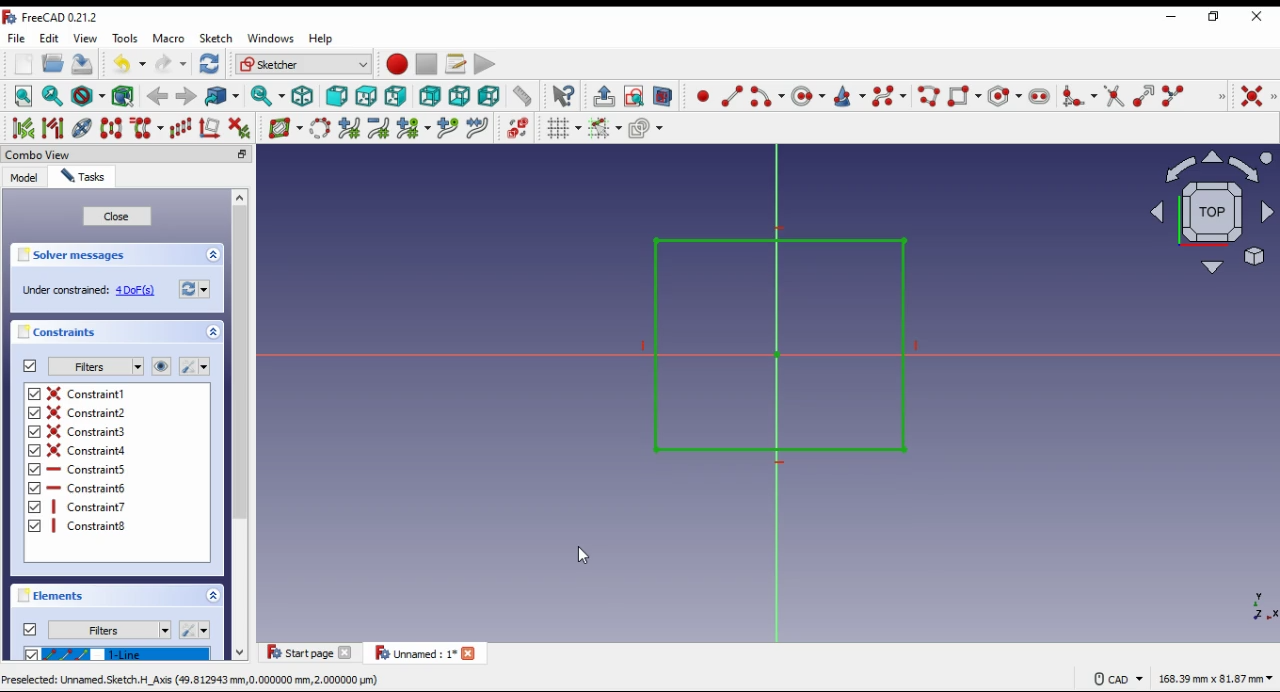  I want to click on macros, so click(455, 65).